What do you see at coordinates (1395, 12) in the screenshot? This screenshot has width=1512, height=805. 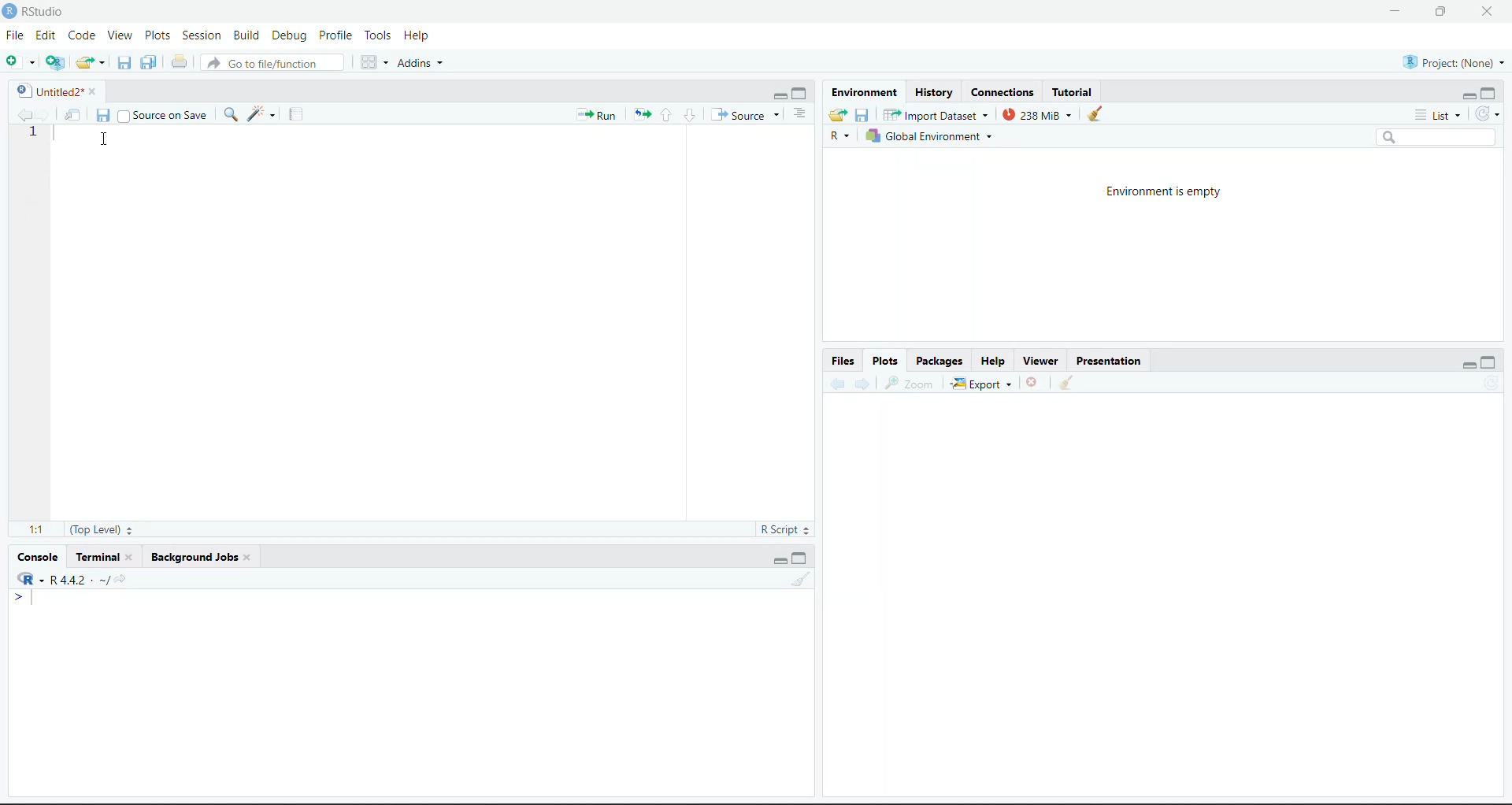 I see `minimize` at bounding box center [1395, 12].